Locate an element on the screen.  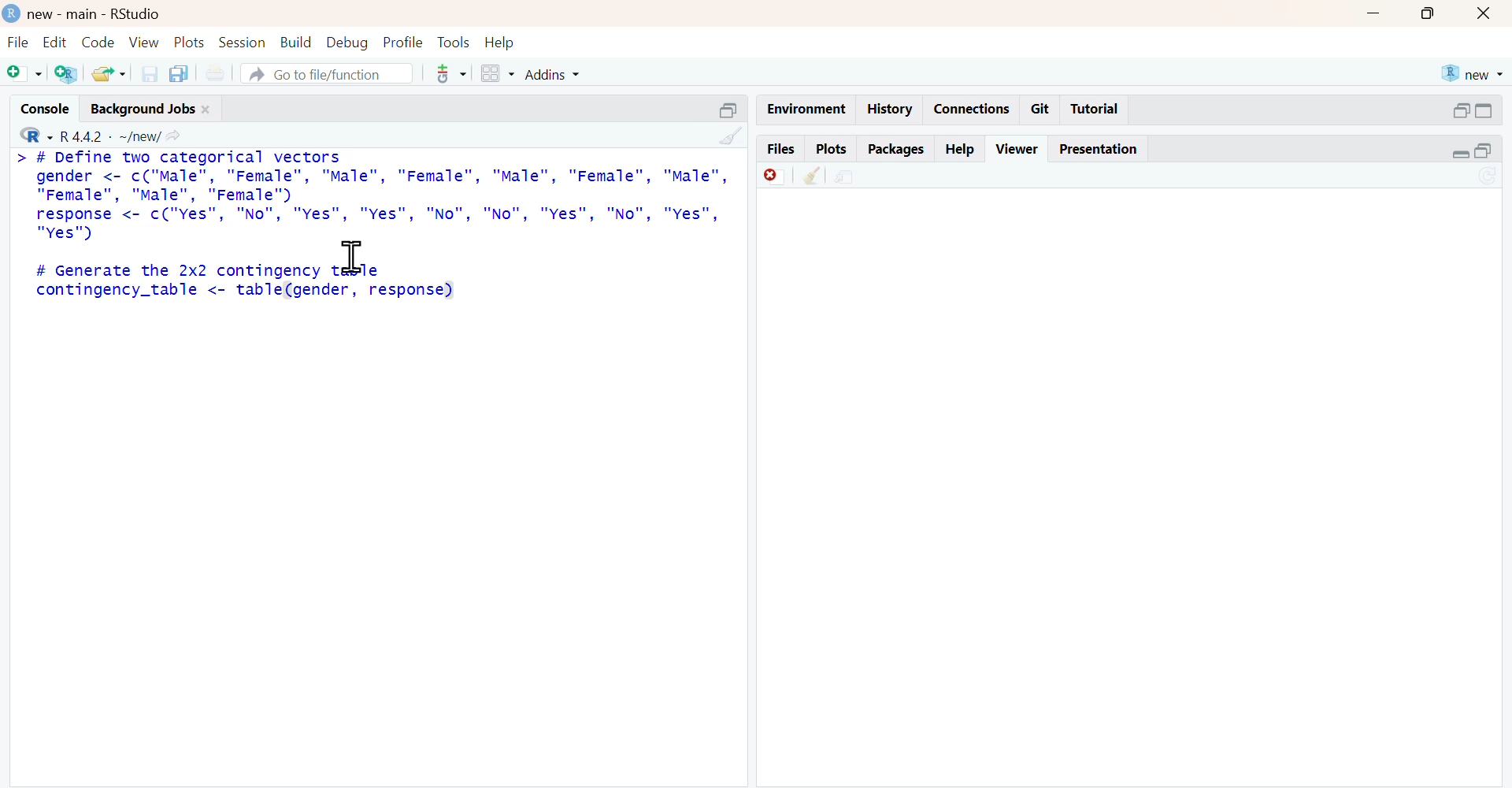
share is located at coordinates (846, 178).